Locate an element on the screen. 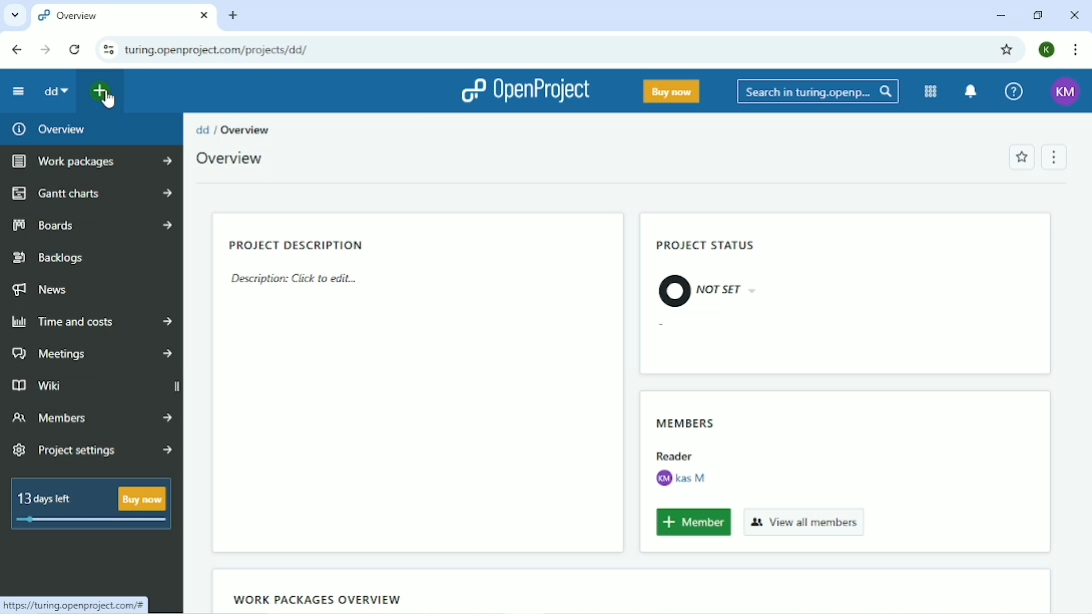 Image resolution: width=1092 pixels, height=614 pixels. Customize and control google chrome is located at coordinates (1079, 50).